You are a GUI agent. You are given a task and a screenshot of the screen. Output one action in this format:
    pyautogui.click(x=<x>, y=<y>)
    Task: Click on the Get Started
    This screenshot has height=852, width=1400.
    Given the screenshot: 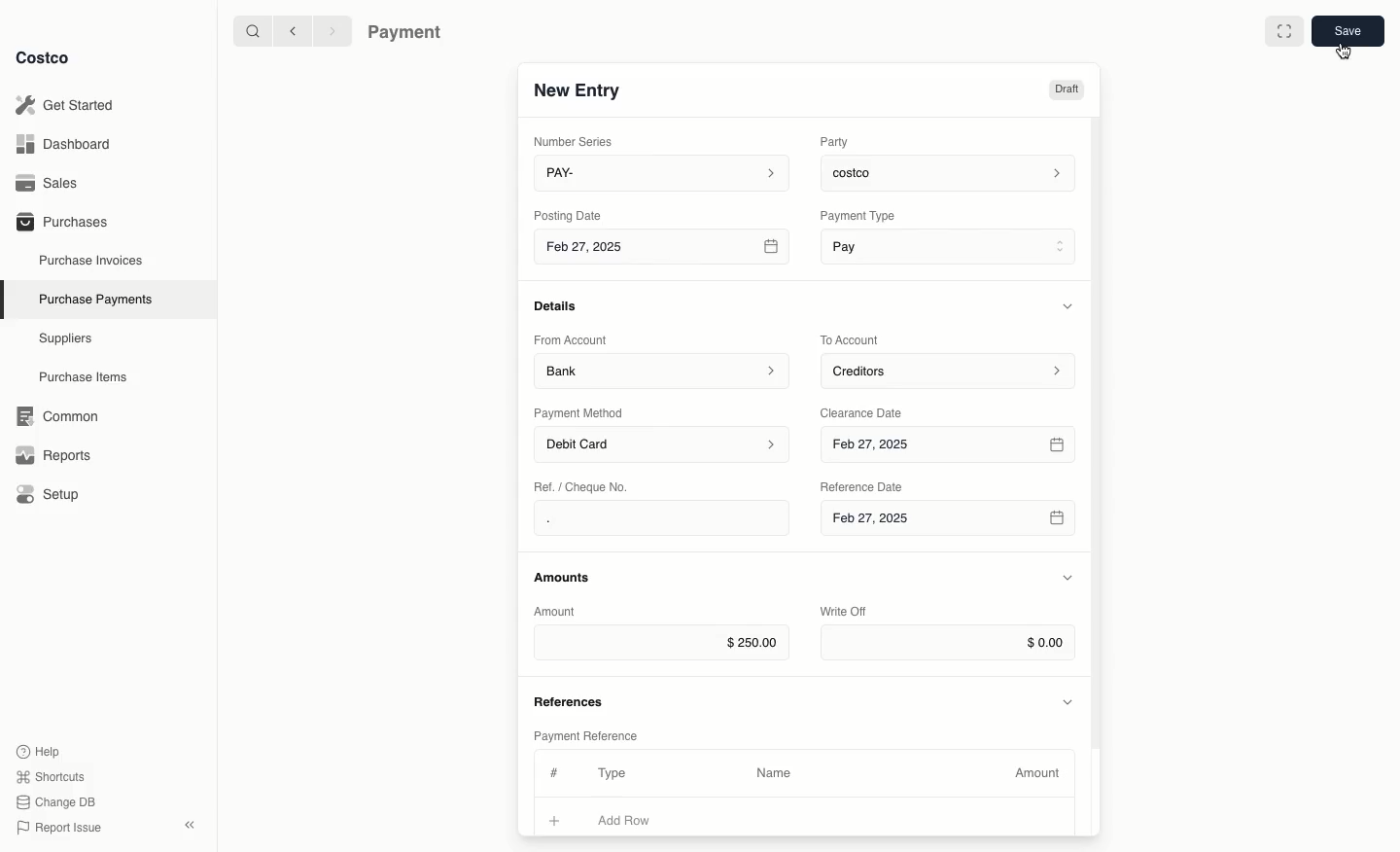 What is the action you would take?
    pyautogui.click(x=69, y=105)
    